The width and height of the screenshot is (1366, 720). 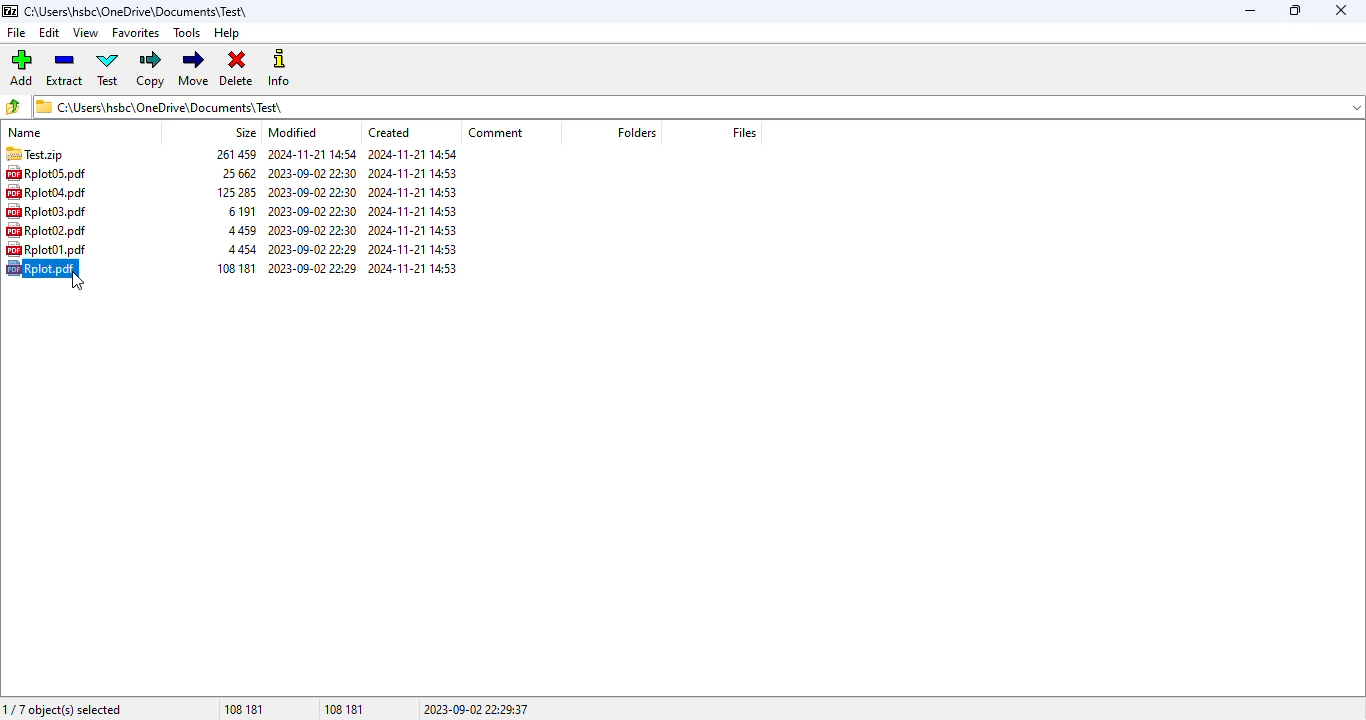 What do you see at coordinates (346, 707) in the screenshot?
I see `108 181` at bounding box center [346, 707].